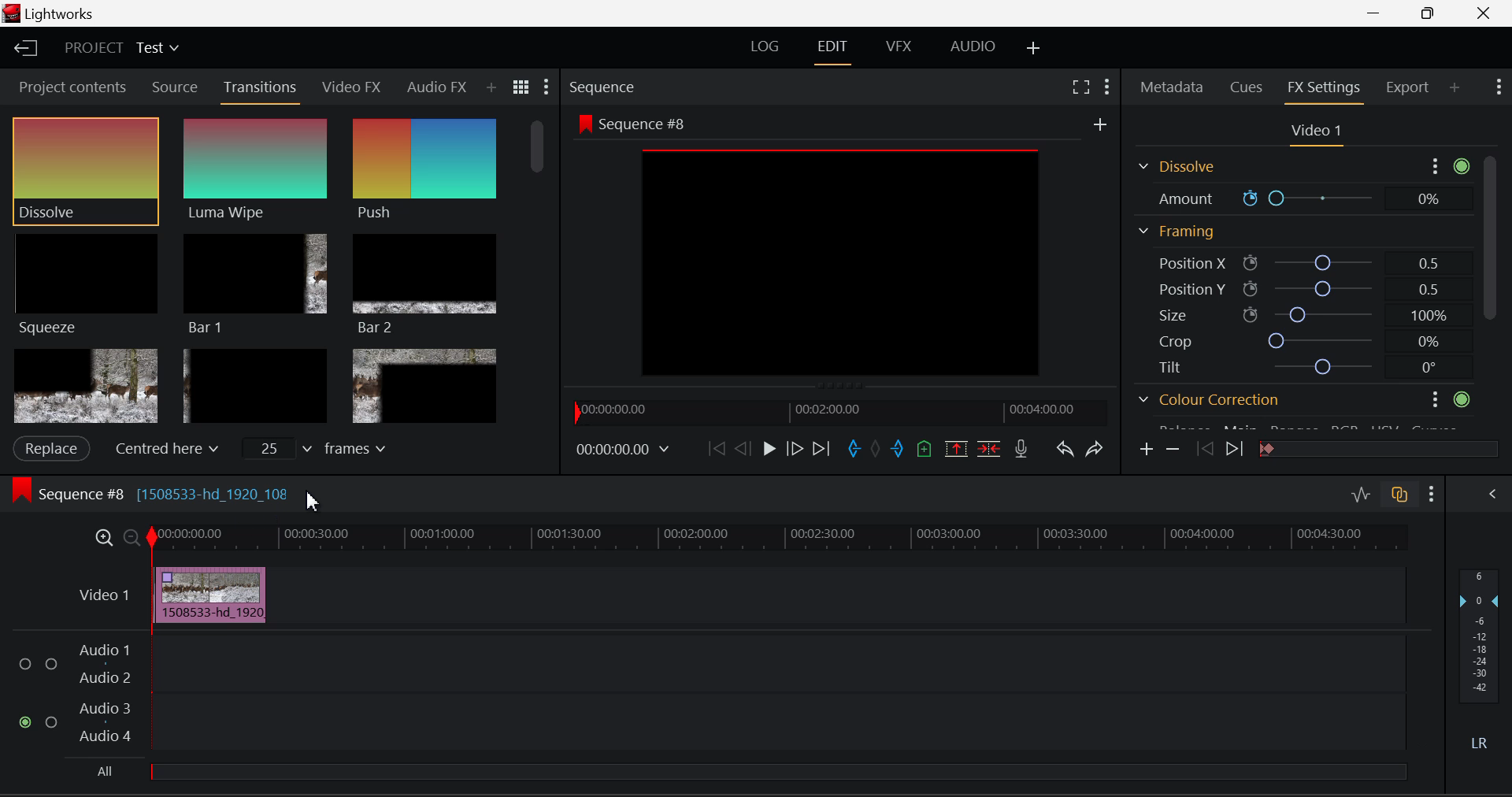  I want to click on Preview Screen Altered, so click(850, 259).